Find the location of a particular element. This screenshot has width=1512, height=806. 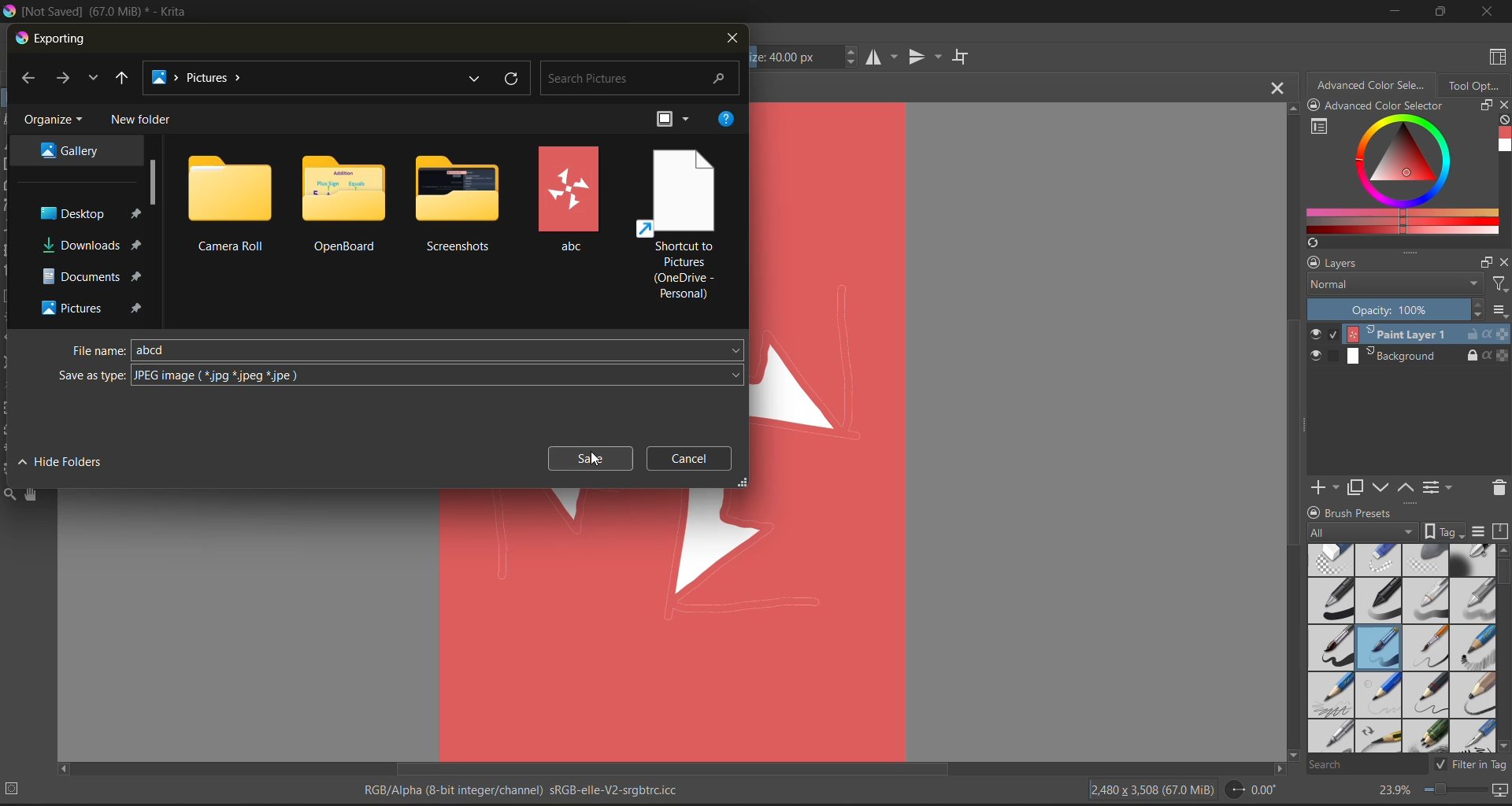

Brush presets is located at coordinates (1384, 513).